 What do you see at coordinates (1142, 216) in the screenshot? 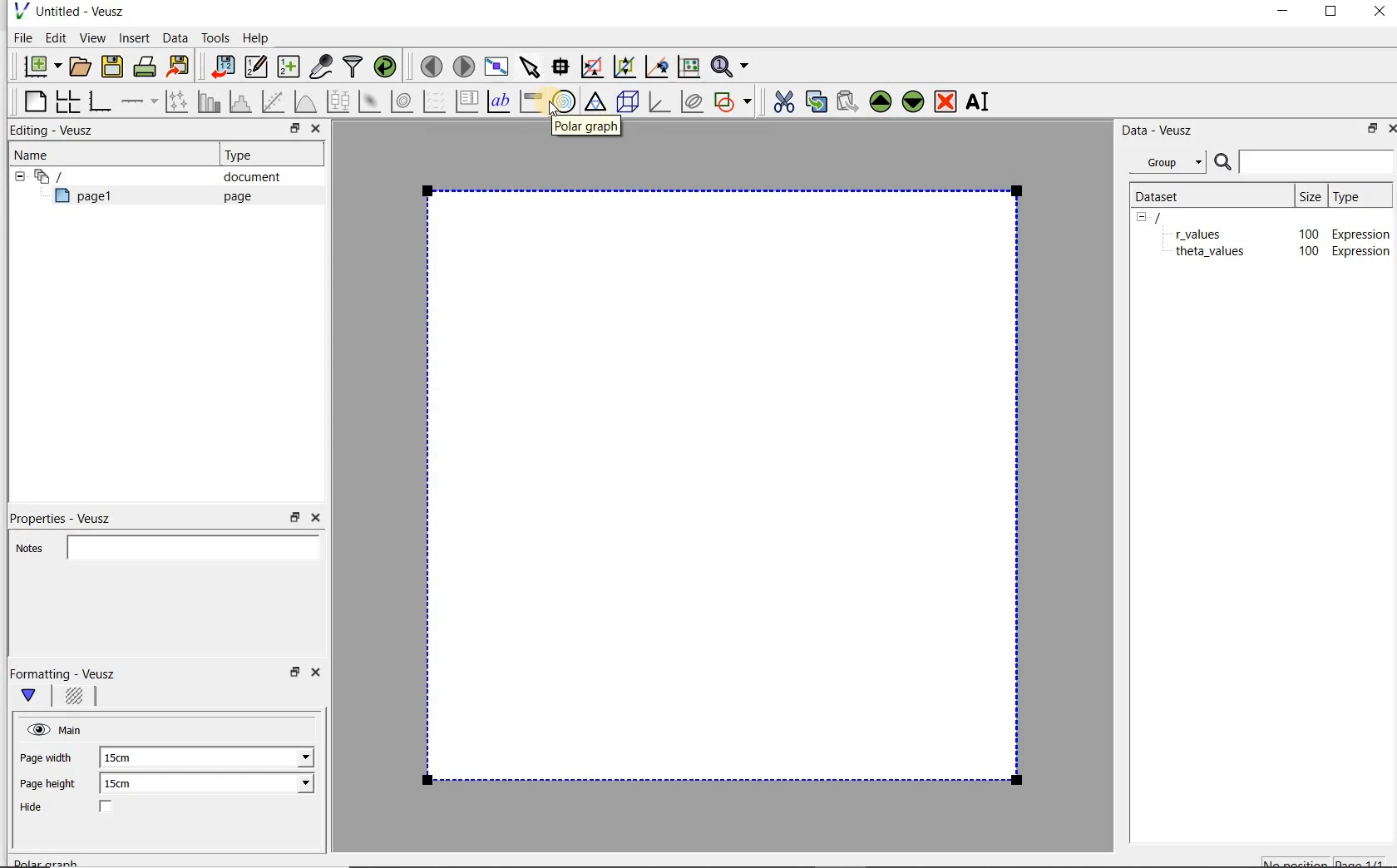
I see `hide sub menu` at bounding box center [1142, 216].